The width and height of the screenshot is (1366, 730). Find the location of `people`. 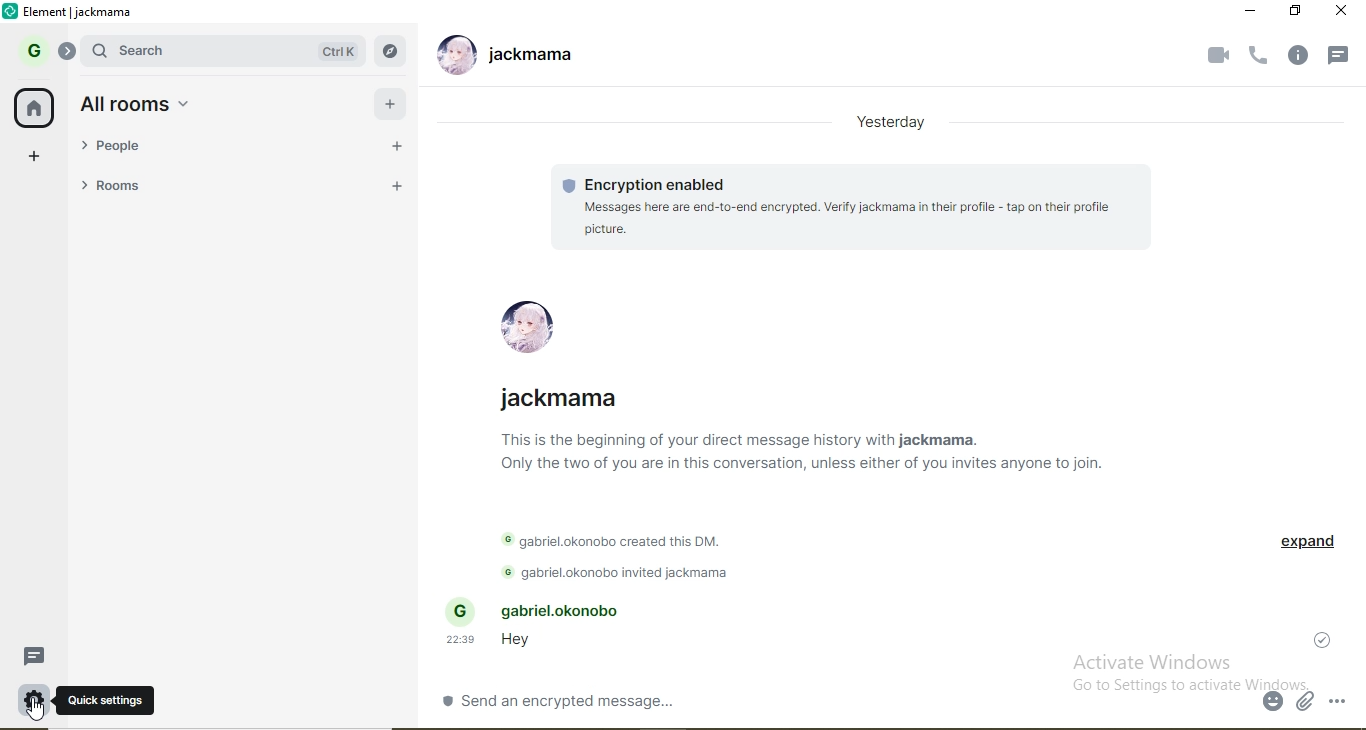

people is located at coordinates (128, 151).